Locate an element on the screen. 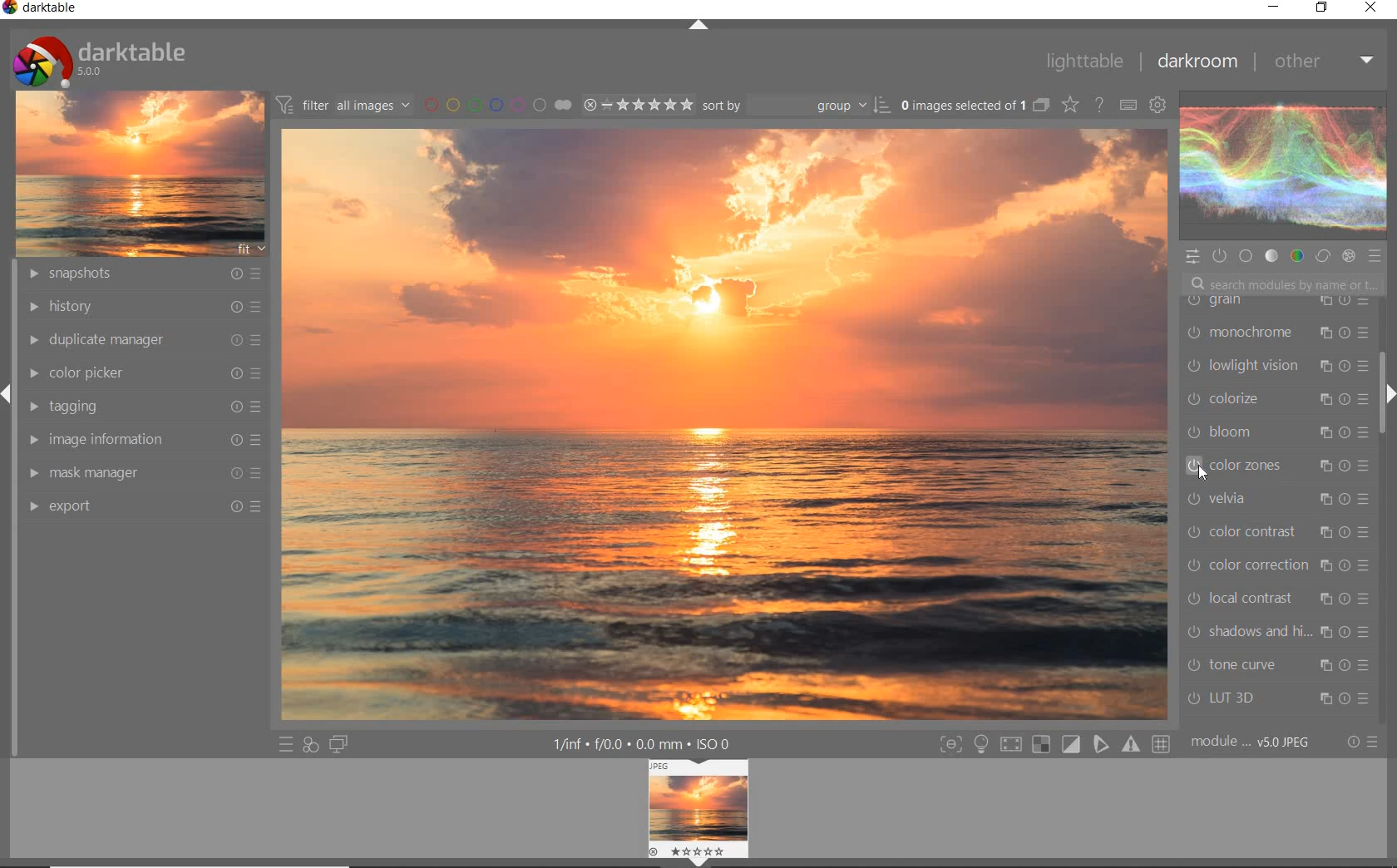 This screenshot has width=1397, height=868. SORT is located at coordinates (795, 106).